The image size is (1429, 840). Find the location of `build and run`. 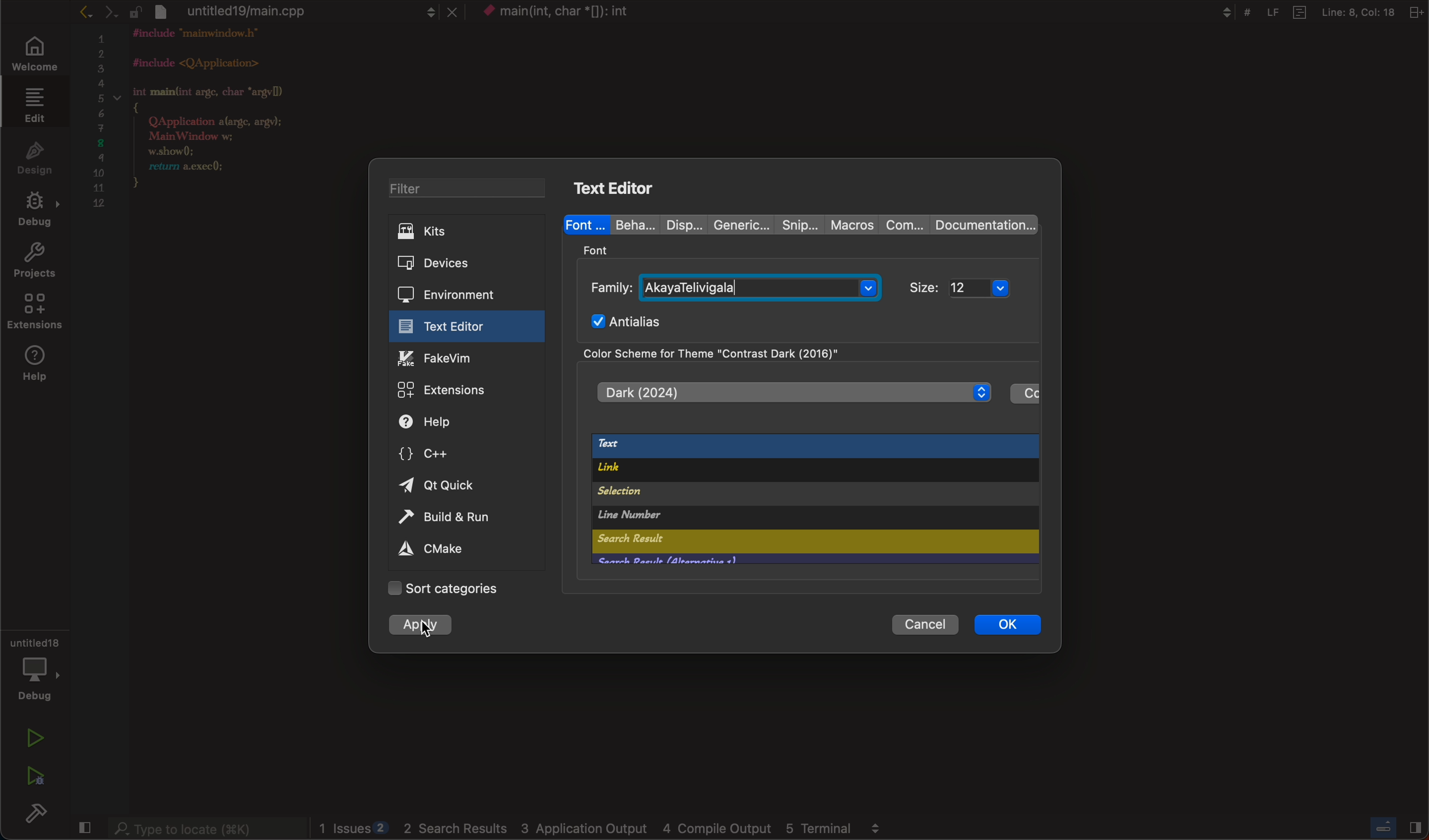

build and run is located at coordinates (458, 519).